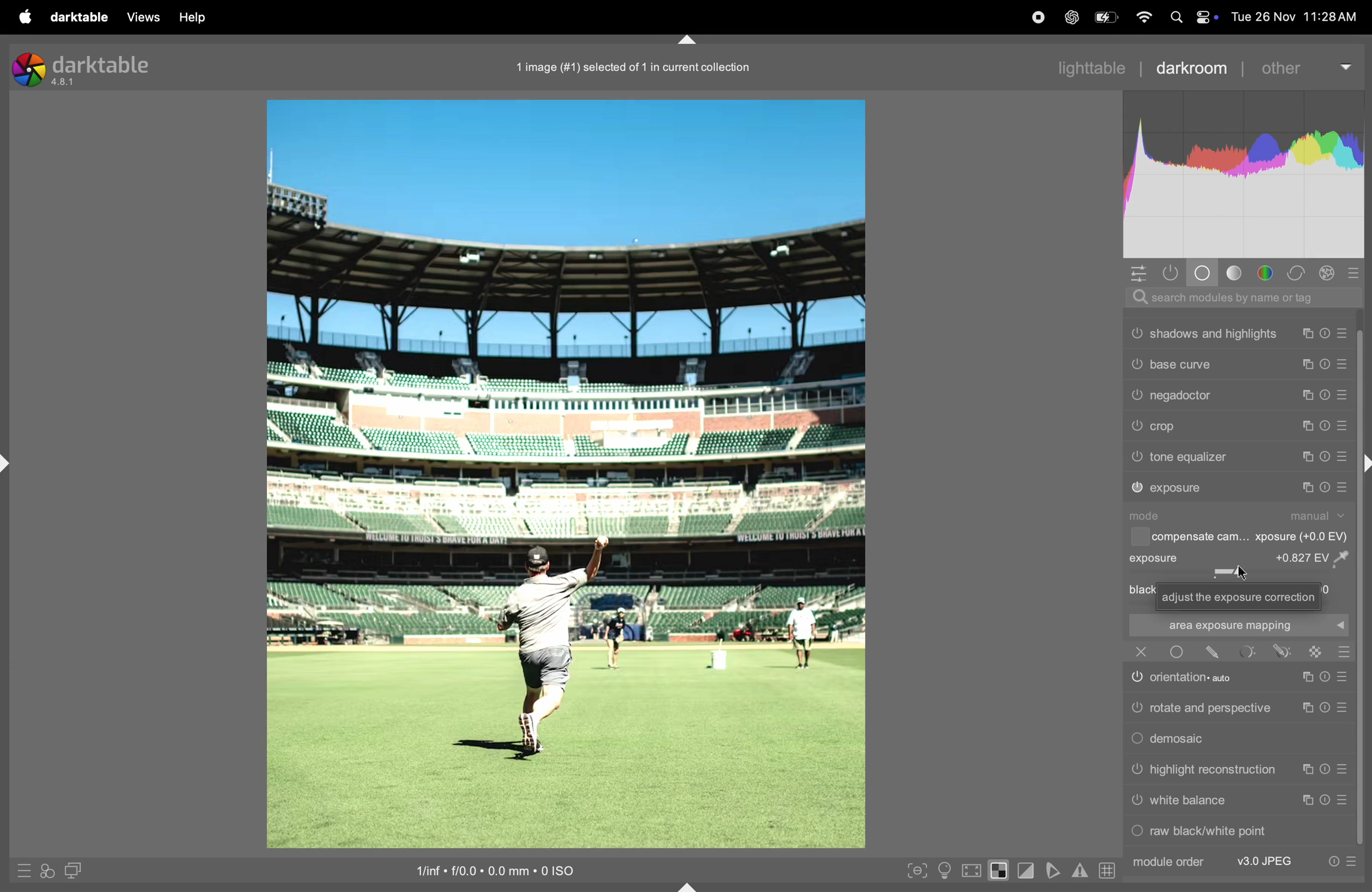 The image size is (1372, 892). What do you see at coordinates (1136, 709) in the screenshot?
I see `Switch on or off` at bounding box center [1136, 709].